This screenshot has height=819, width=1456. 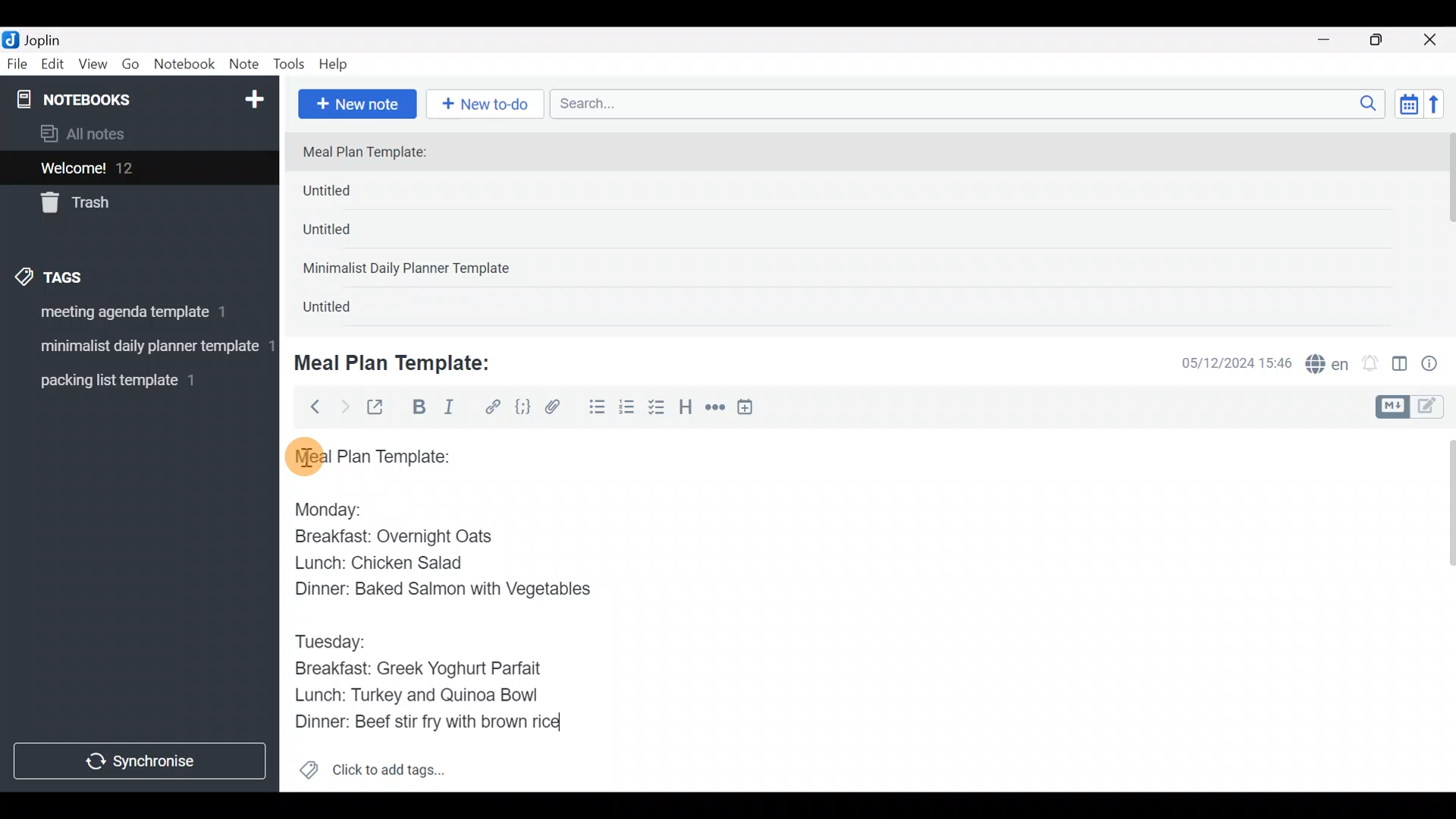 What do you see at coordinates (134, 380) in the screenshot?
I see `Tag 3` at bounding box center [134, 380].